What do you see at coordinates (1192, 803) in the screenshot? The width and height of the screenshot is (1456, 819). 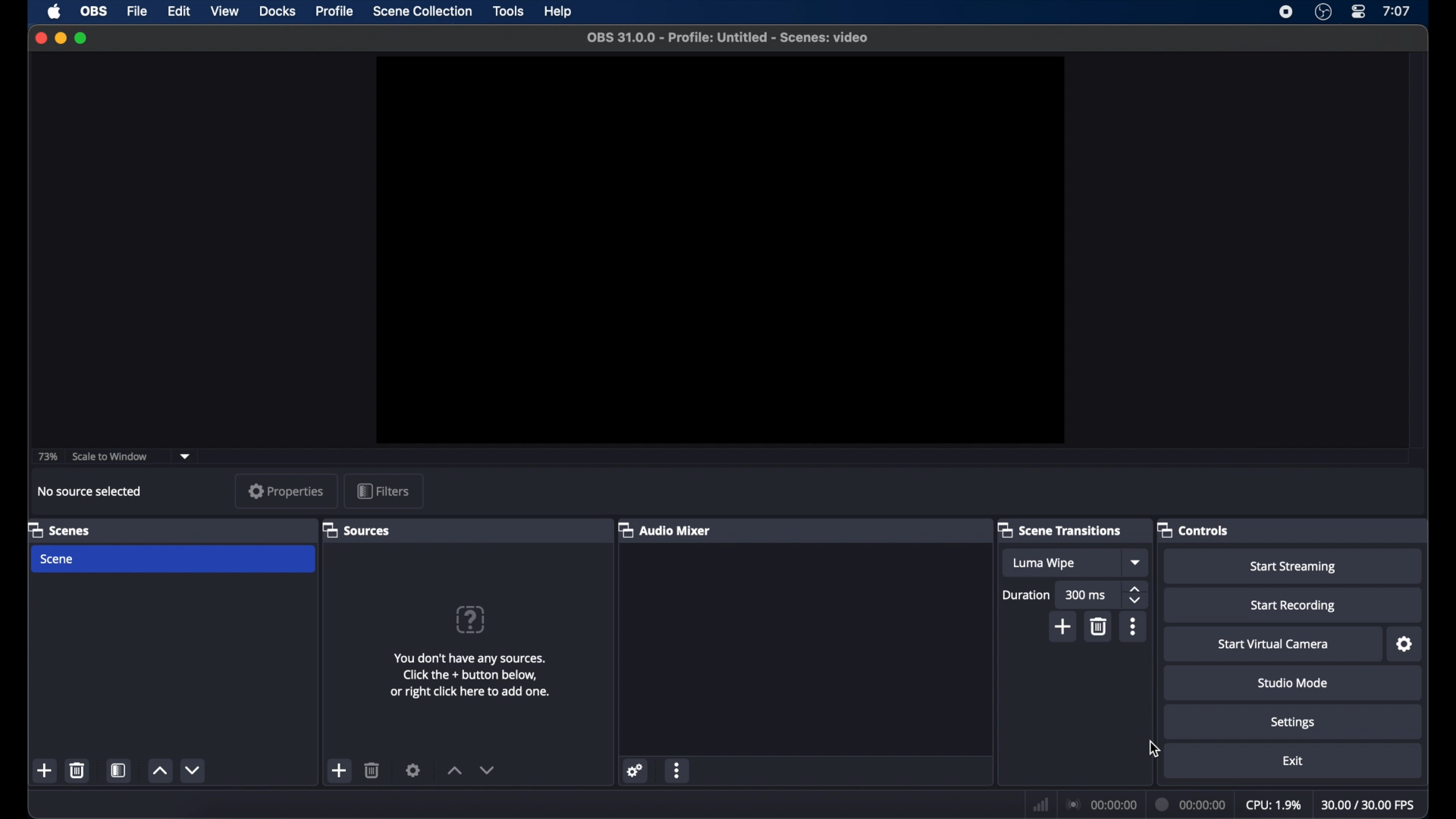 I see `duration` at bounding box center [1192, 803].